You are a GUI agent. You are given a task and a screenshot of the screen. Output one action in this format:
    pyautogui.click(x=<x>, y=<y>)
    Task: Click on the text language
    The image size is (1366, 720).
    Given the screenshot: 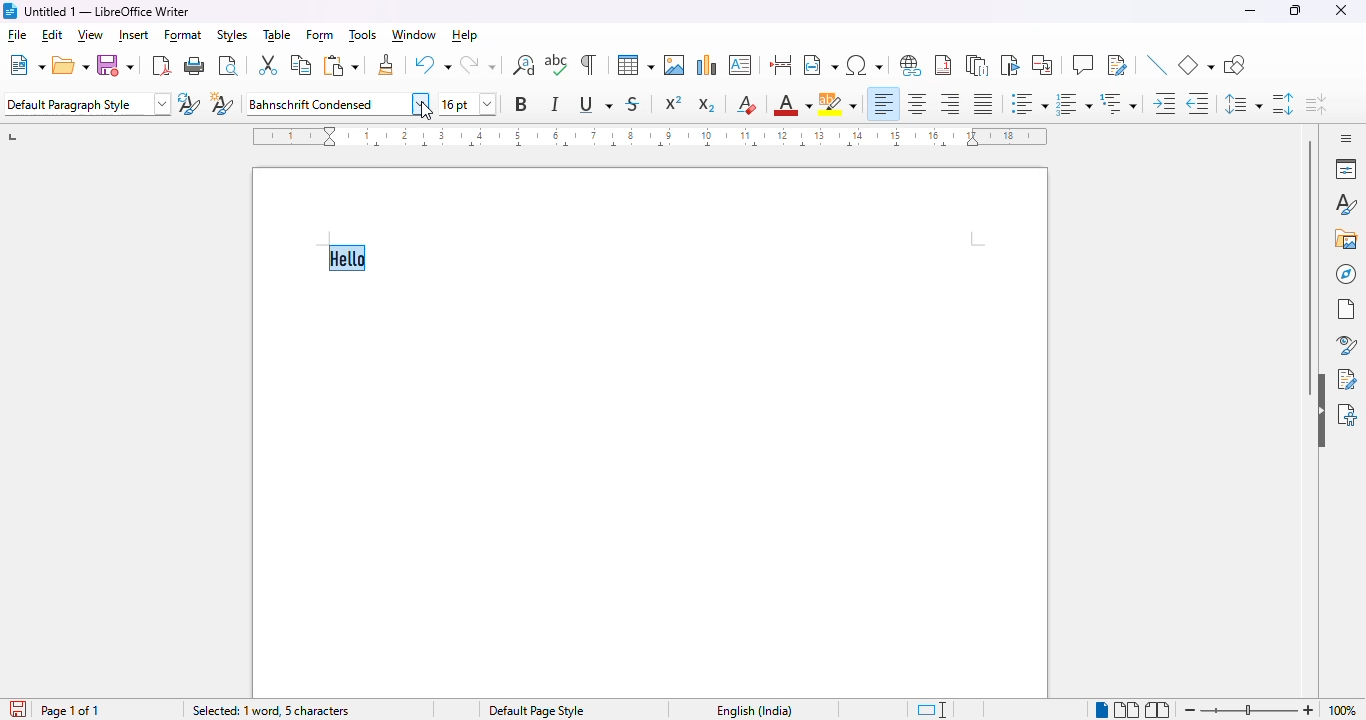 What is the action you would take?
    pyautogui.click(x=750, y=710)
    